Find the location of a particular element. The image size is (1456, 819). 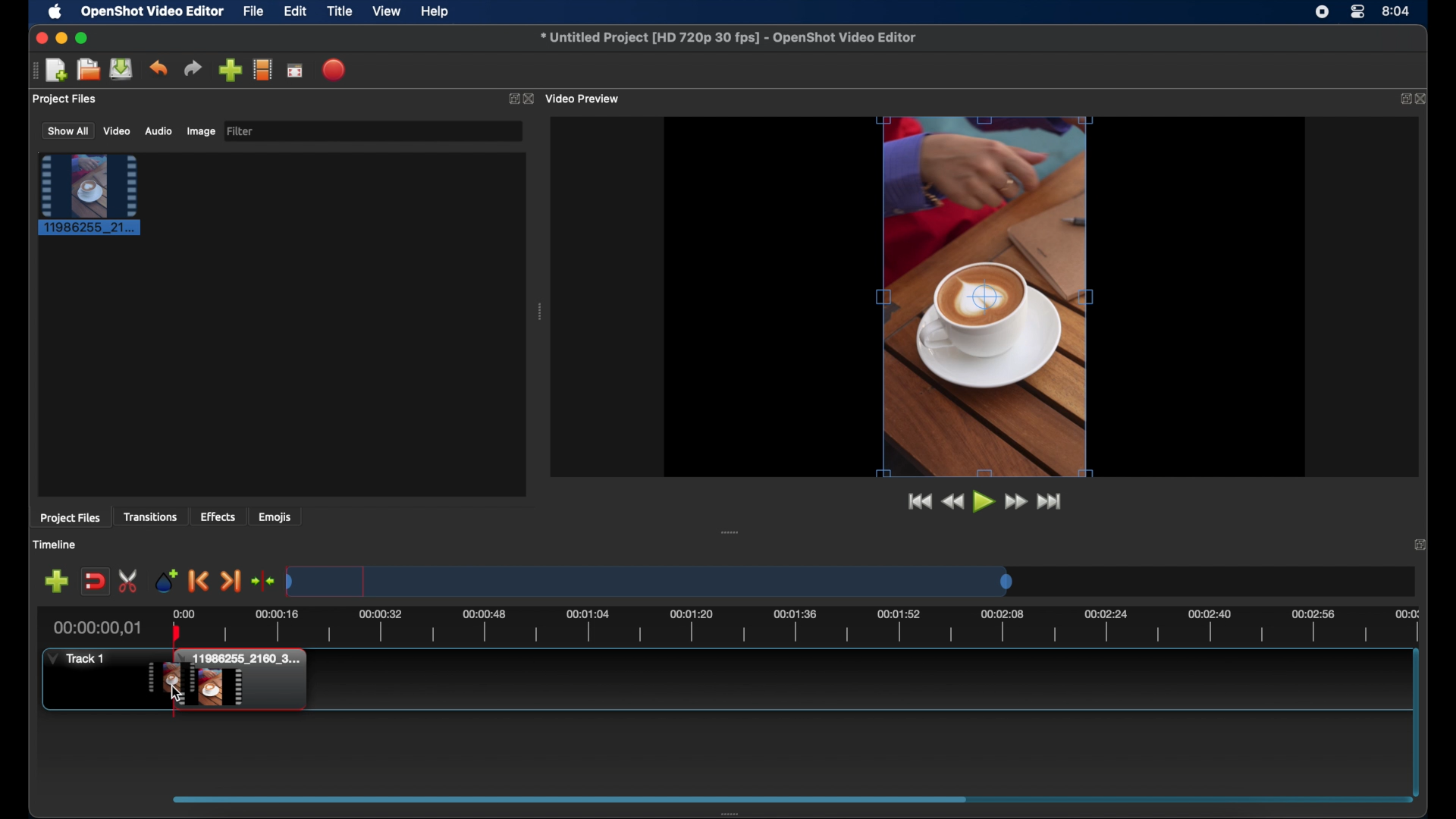

timeline is located at coordinates (56, 544).